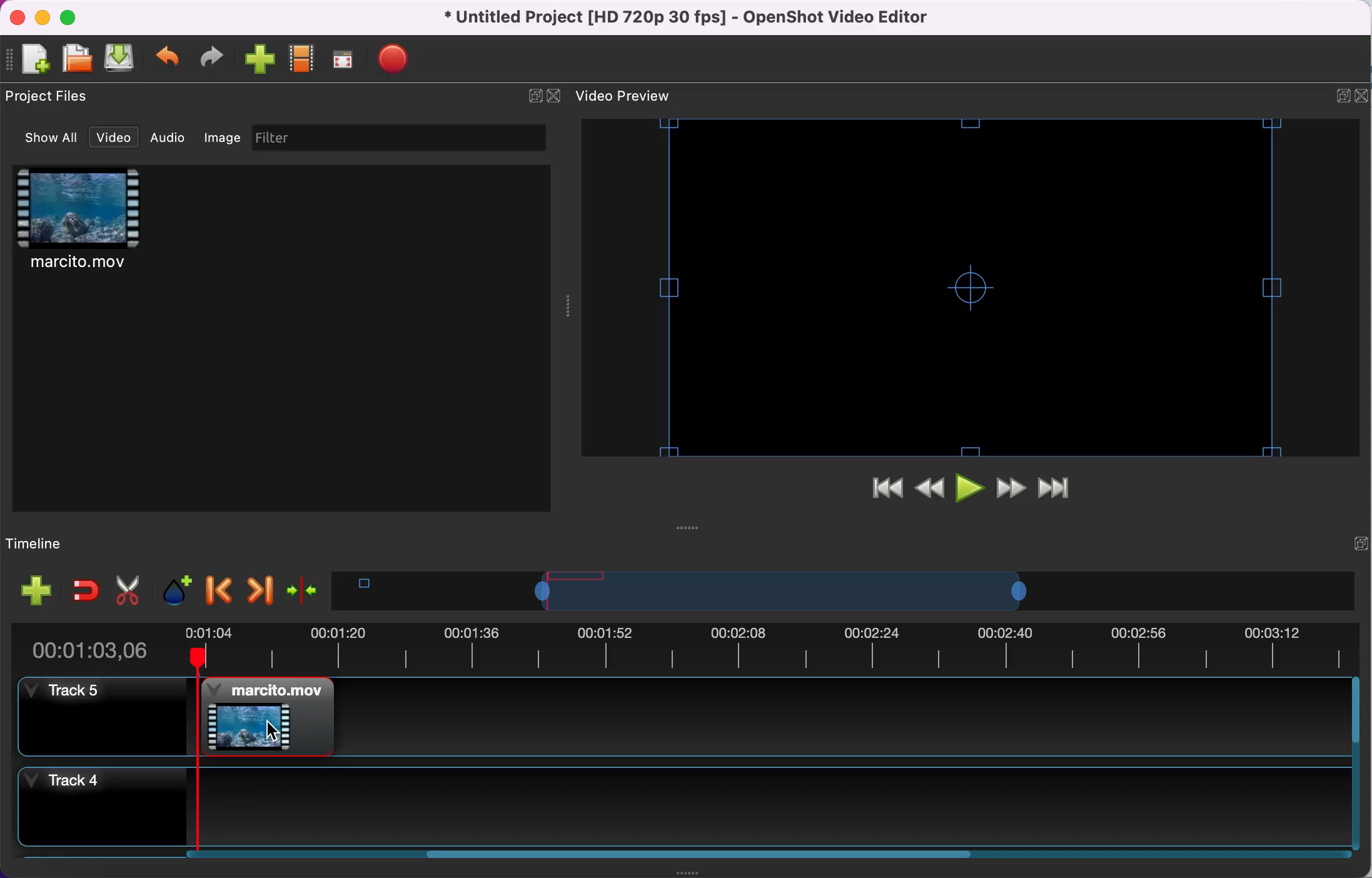  What do you see at coordinates (76, 59) in the screenshot?
I see `open file` at bounding box center [76, 59].